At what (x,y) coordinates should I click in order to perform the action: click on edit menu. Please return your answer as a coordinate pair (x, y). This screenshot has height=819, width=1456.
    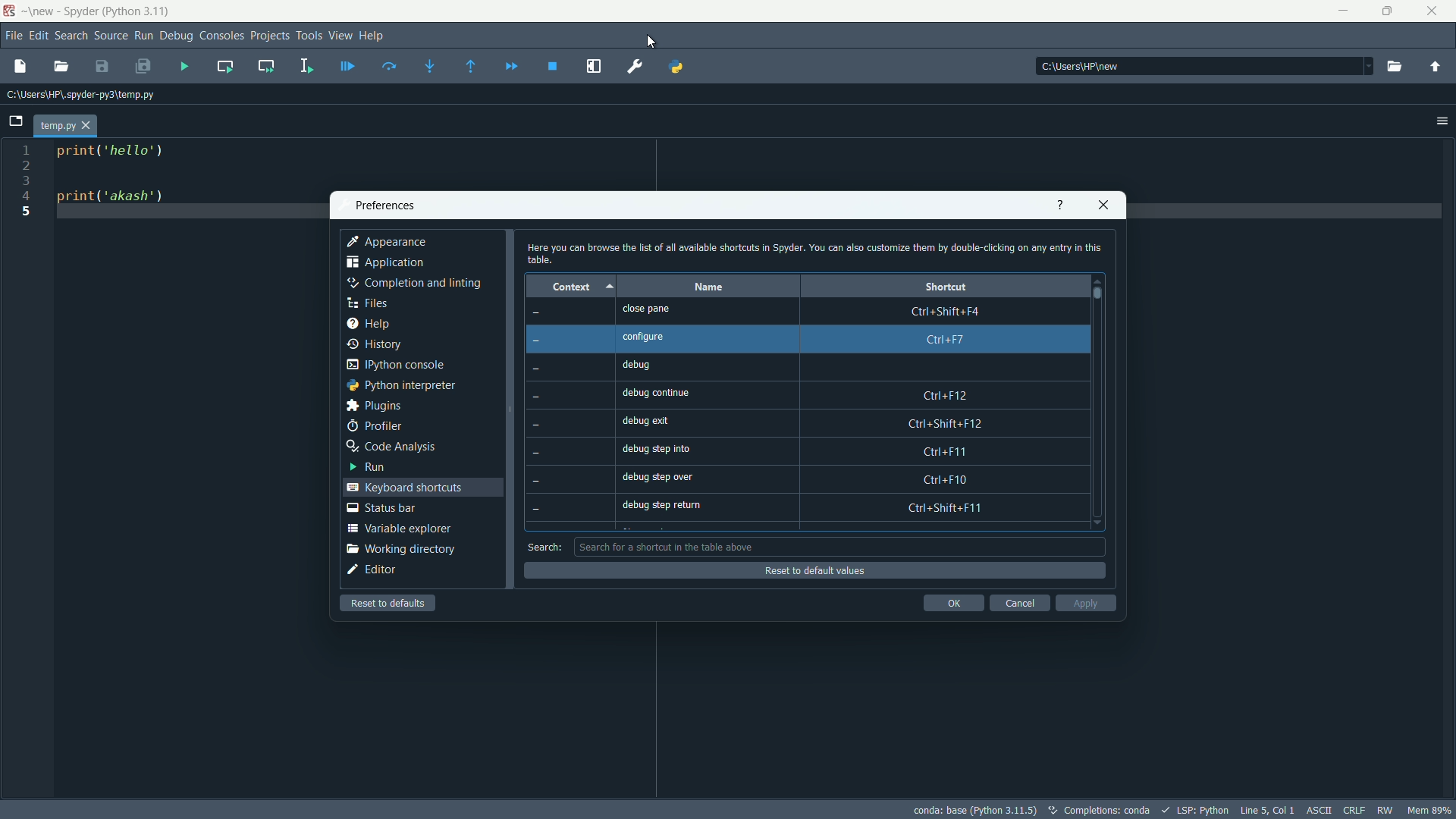
    Looking at the image, I should click on (39, 36).